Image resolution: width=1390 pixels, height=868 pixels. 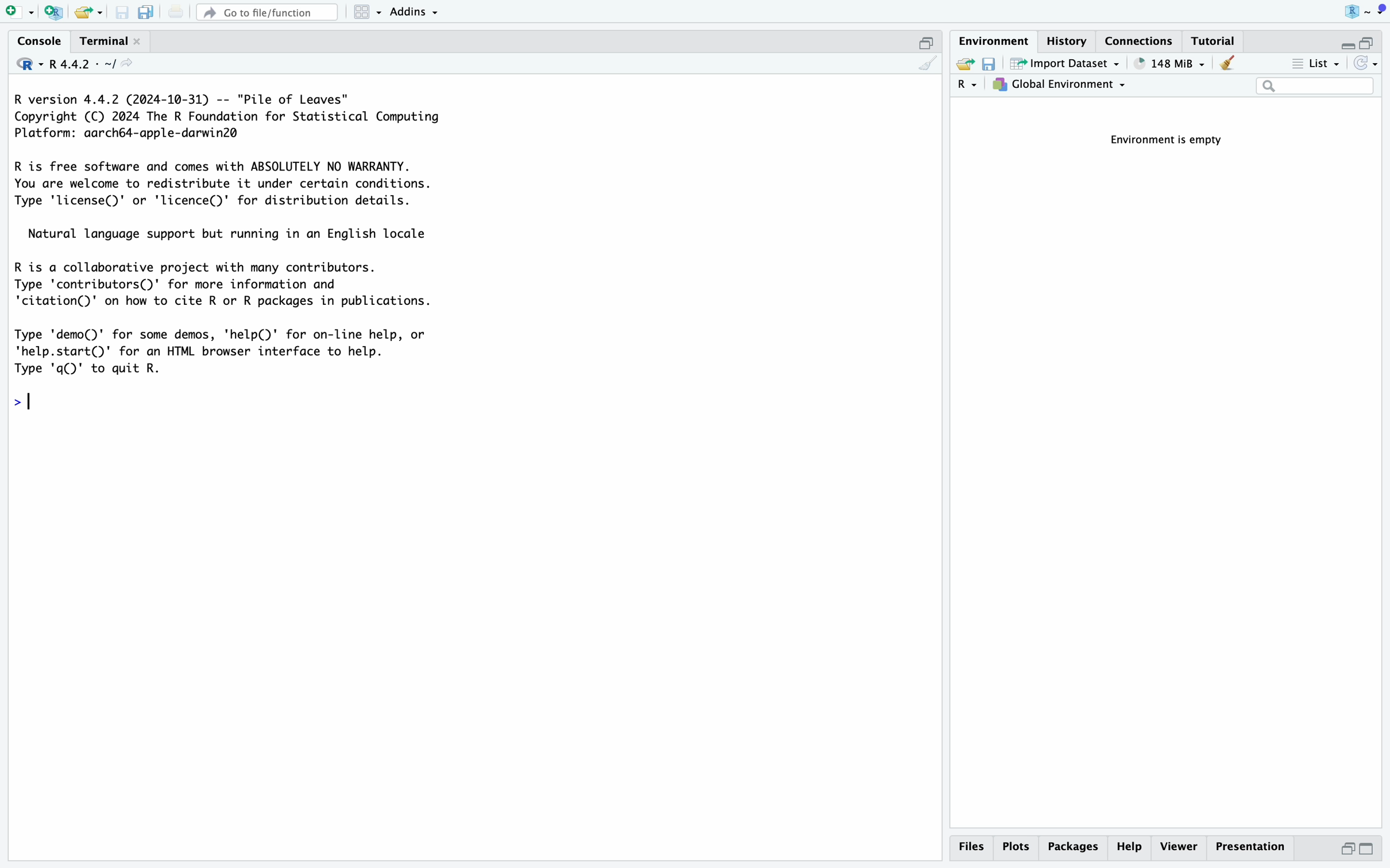 What do you see at coordinates (1315, 87) in the screenshot?
I see `search field` at bounding box center [1315, 87].